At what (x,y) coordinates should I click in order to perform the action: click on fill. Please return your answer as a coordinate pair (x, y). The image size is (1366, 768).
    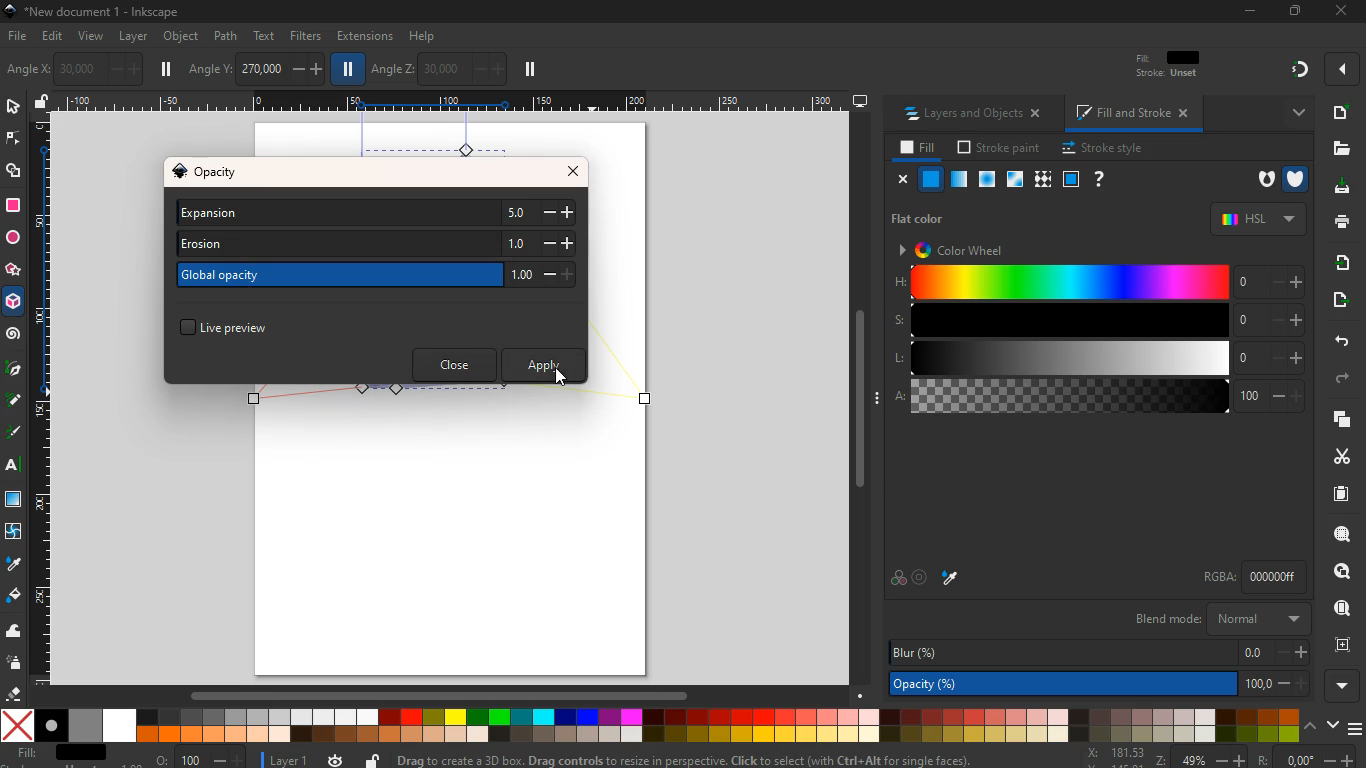
    Looking at the image, I should click on (60, 753).